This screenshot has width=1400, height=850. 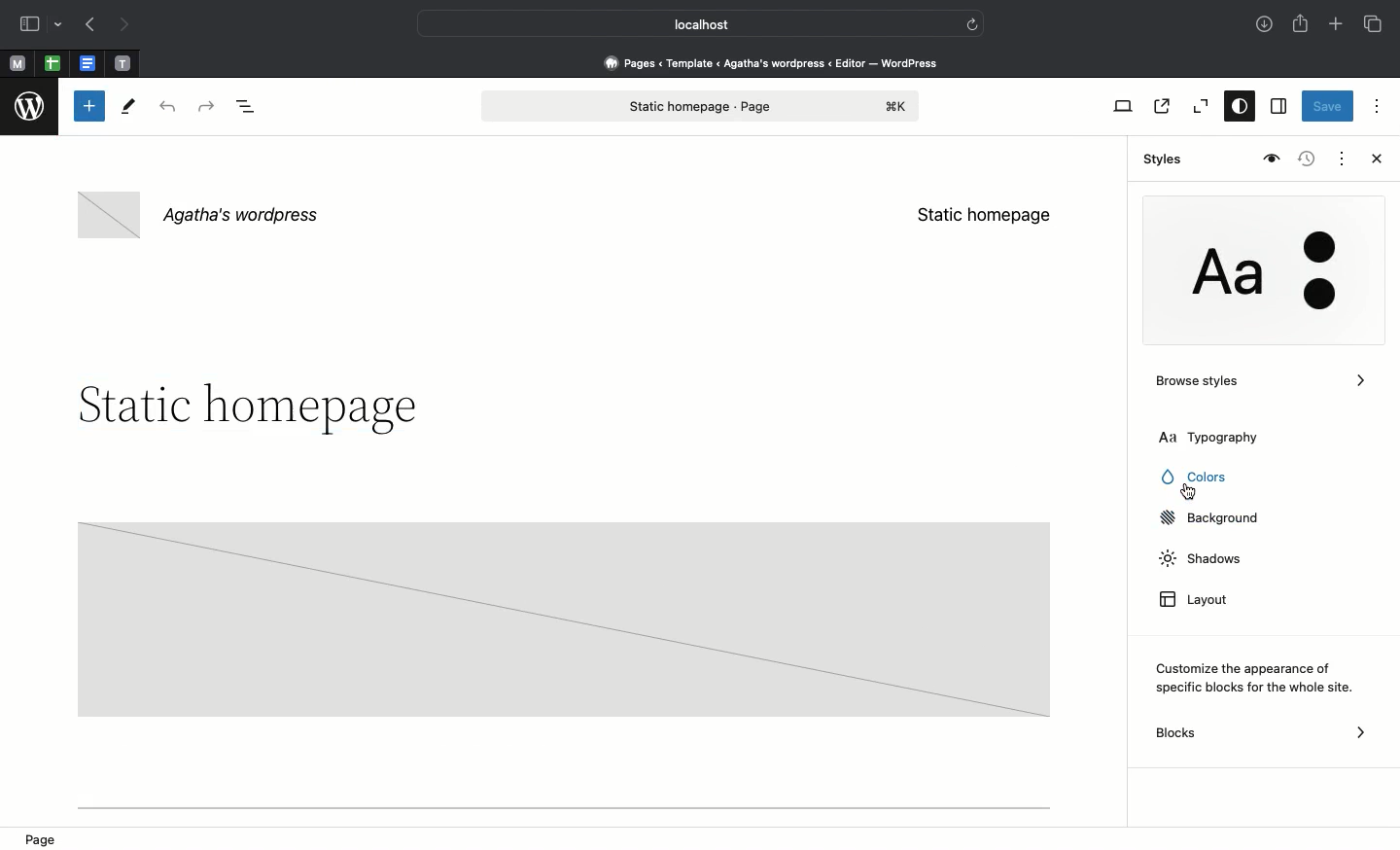 I want to click on Undo, so click(x=167, y=108).